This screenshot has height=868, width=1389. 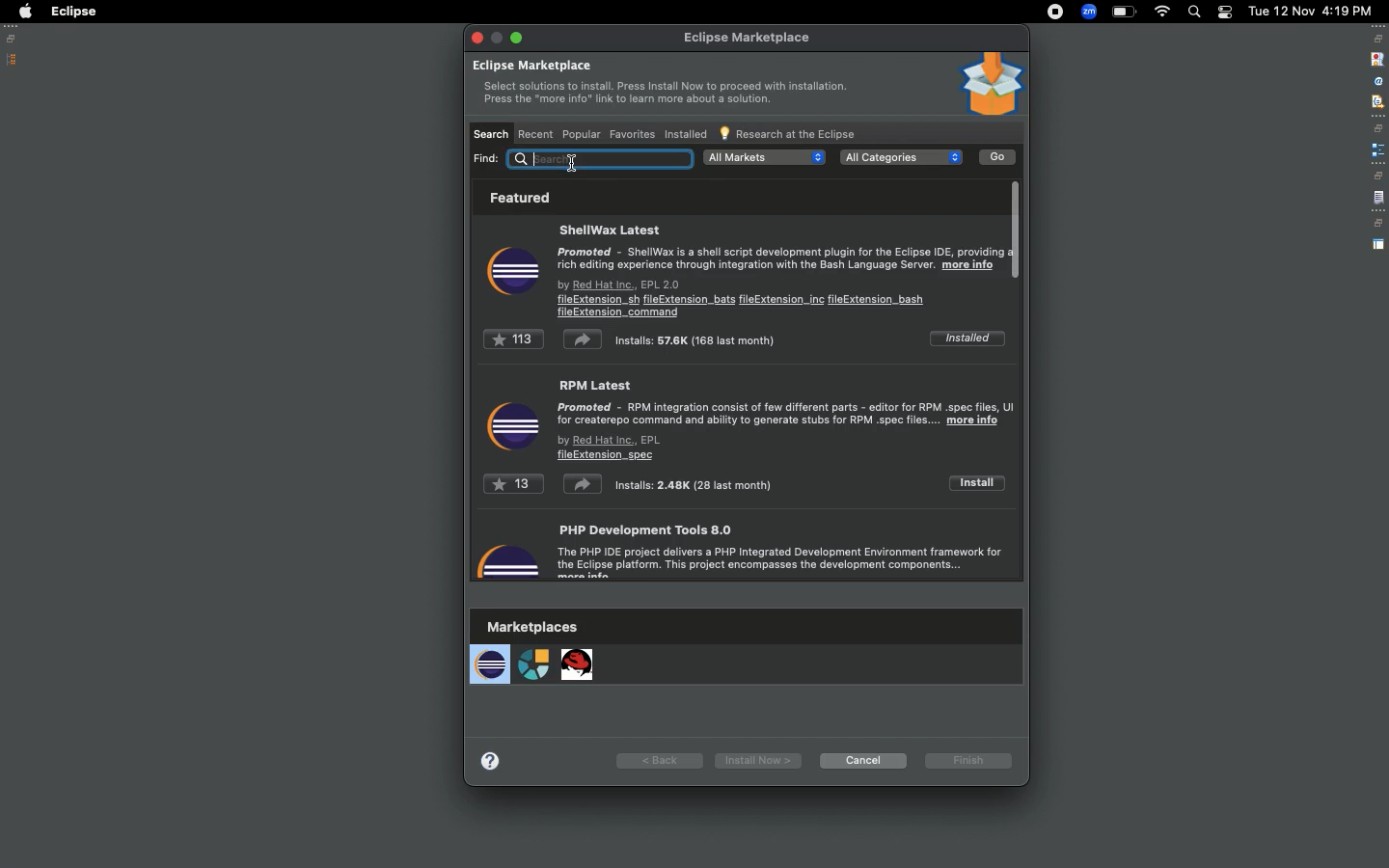 I want to click on find, so click(x=487, y=158).